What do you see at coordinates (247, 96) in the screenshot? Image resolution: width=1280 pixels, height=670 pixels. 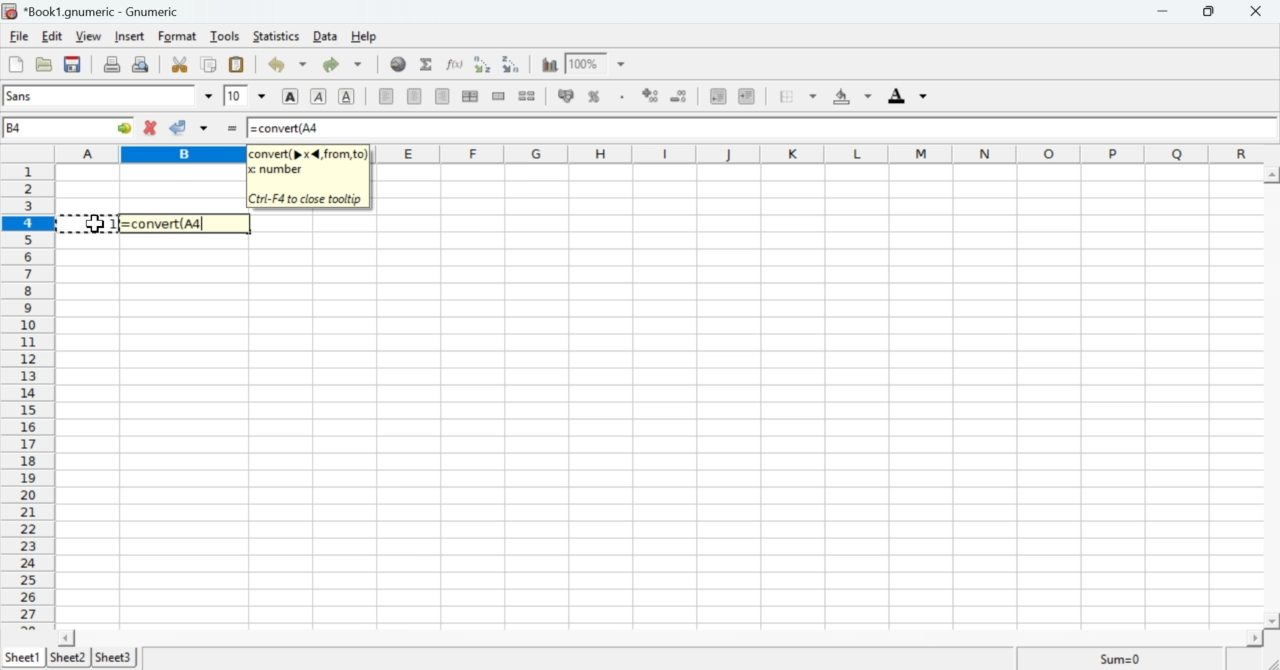 I see `Font Size` at bounding box center [247, 96].